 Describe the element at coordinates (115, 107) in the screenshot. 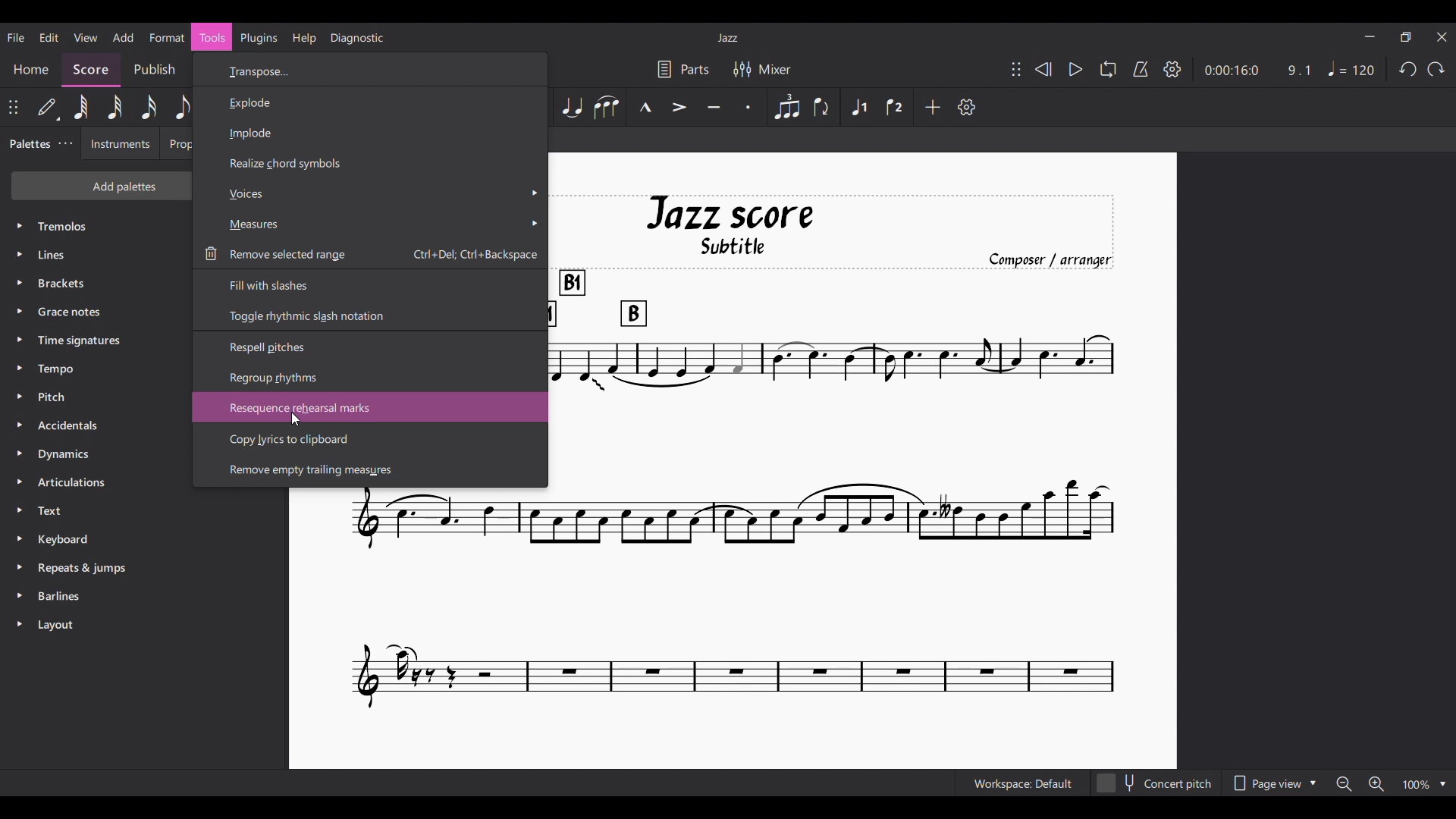

I see `32nd note` at that location.